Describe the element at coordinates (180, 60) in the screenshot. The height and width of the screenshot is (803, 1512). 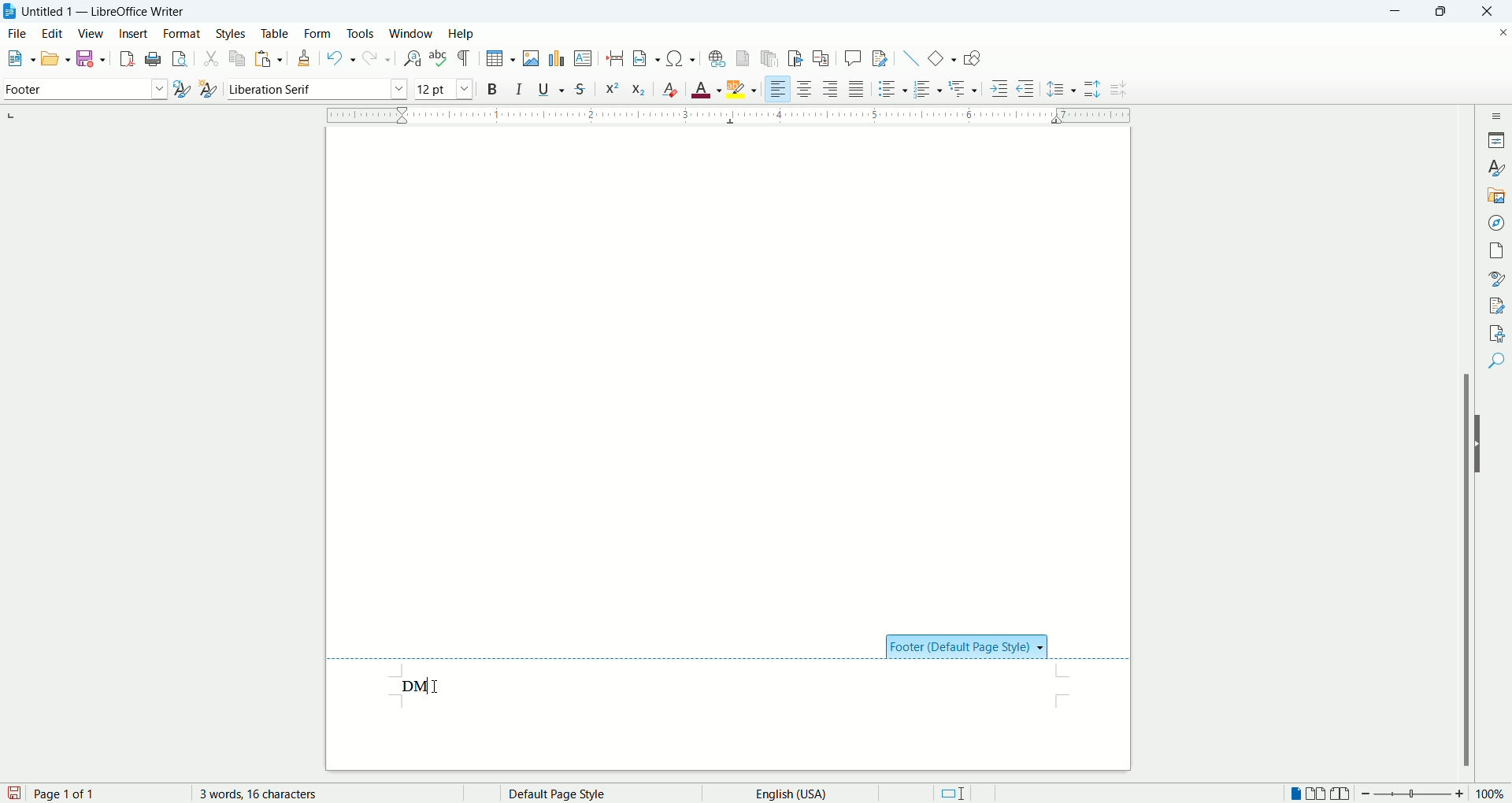
I see `print preview` at that location.